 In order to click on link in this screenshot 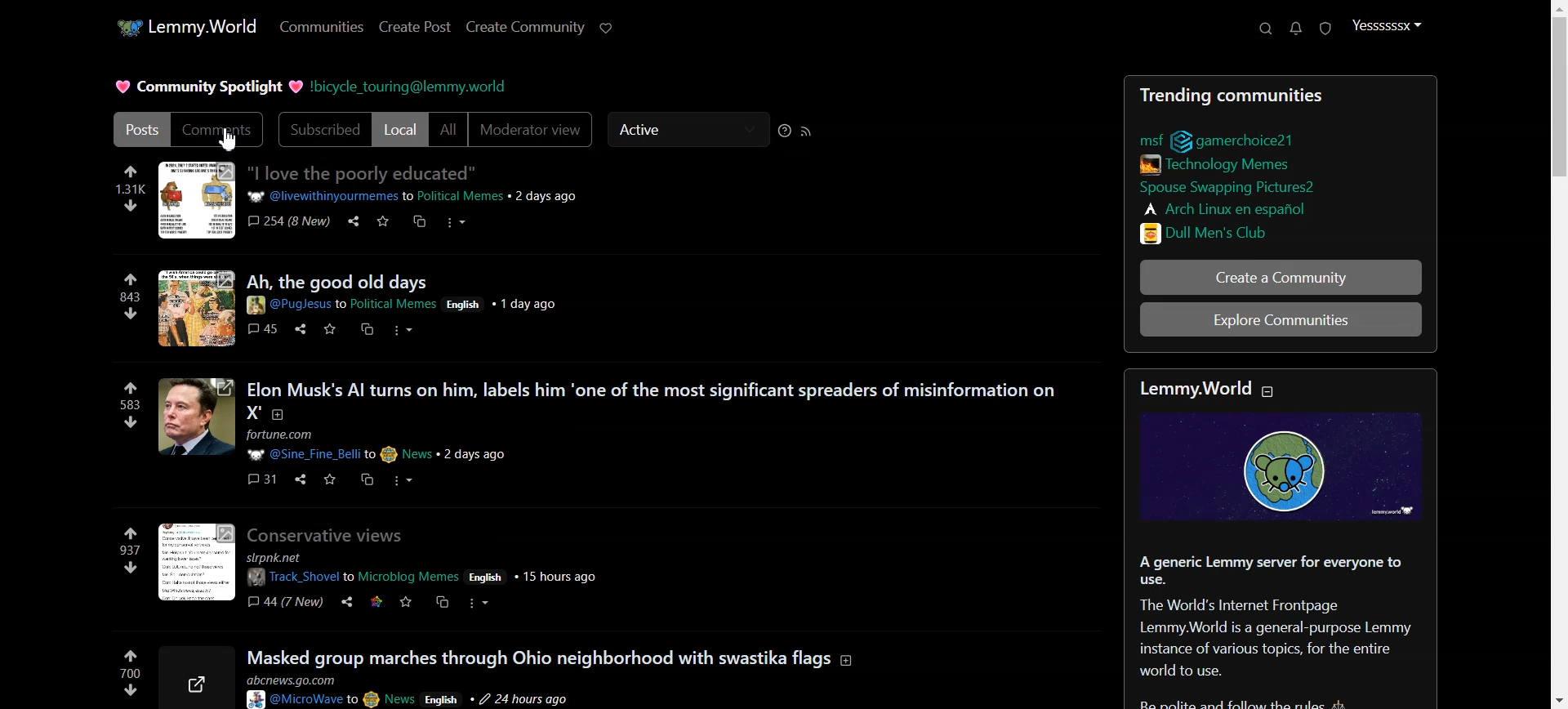, I will do `click(377, 600)`.